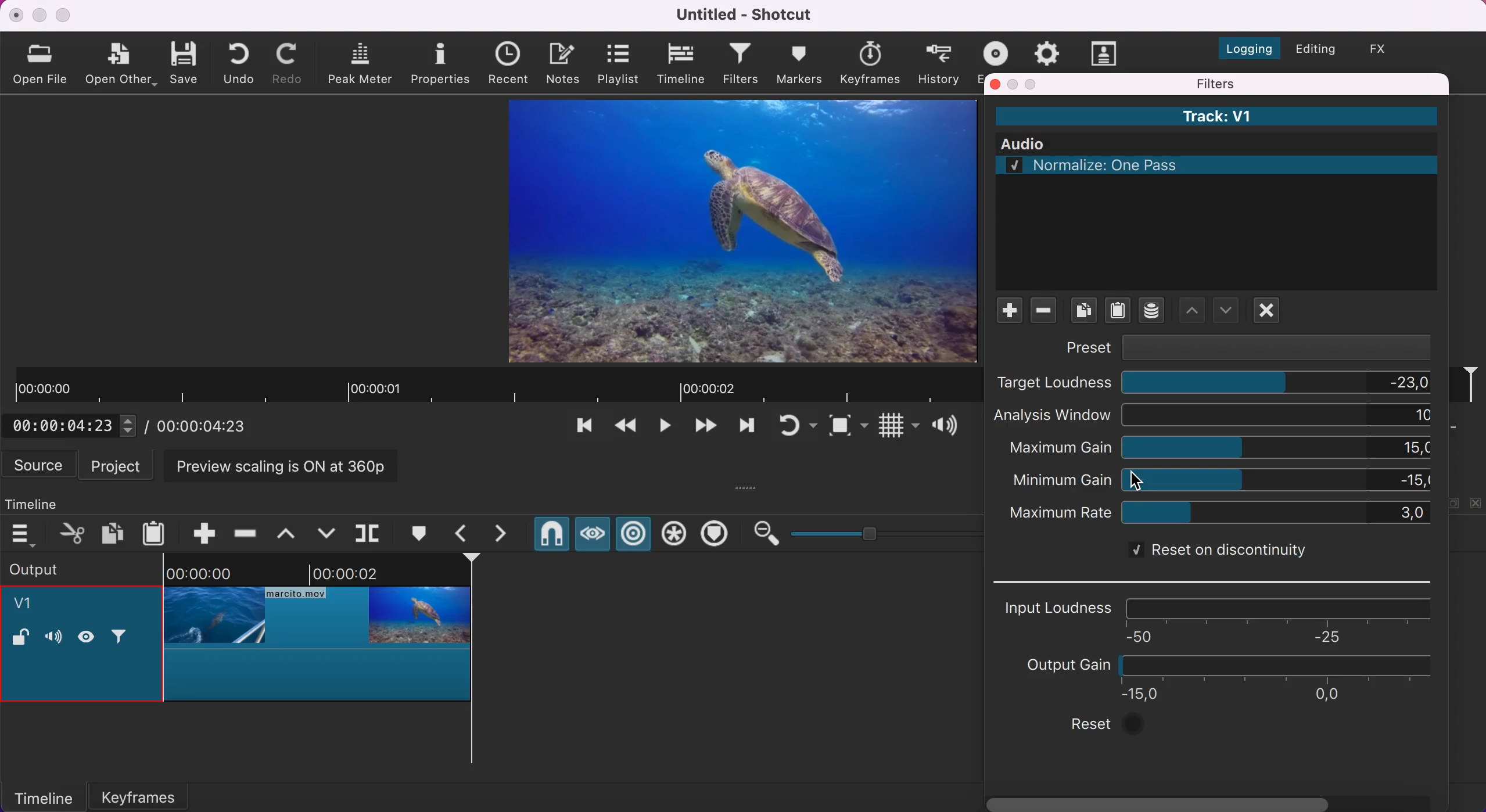  Describe the element at coordinates (91, 636) in the screenshot. I see `hide` at that location.